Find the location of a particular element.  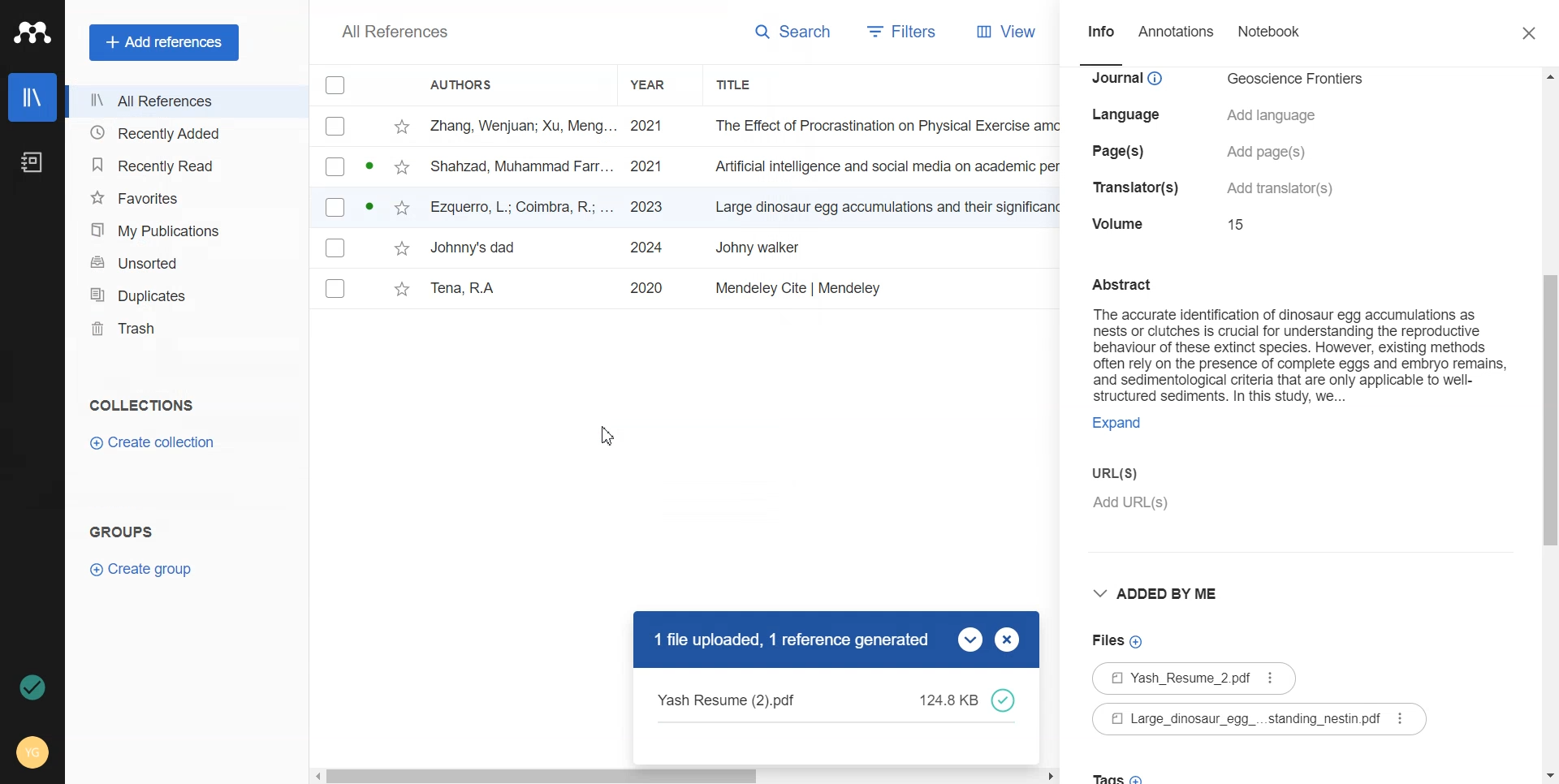

star is located at coordinates (403, 291).